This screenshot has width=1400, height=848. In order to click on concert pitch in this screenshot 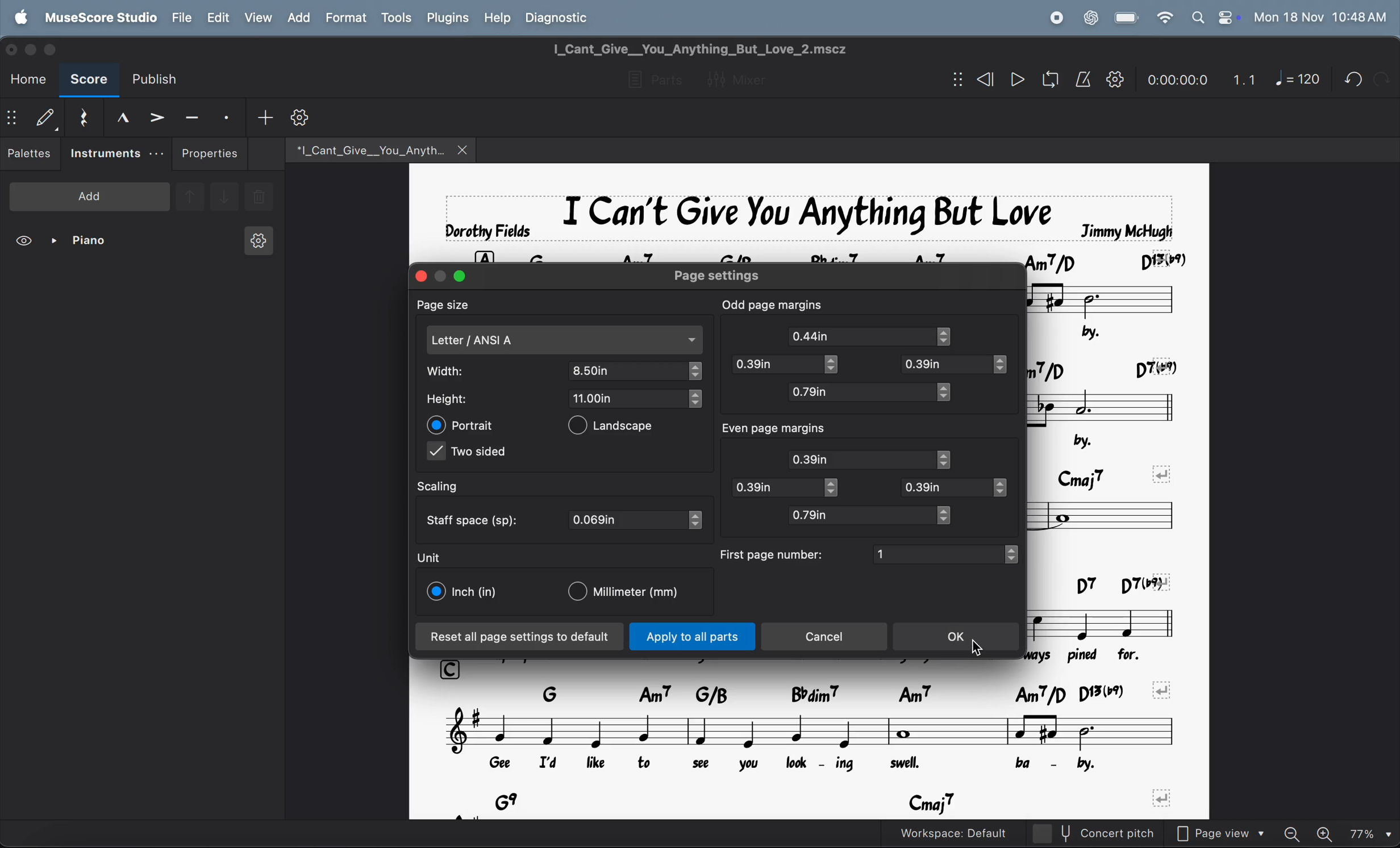, I will do `click(1116, 833)`.